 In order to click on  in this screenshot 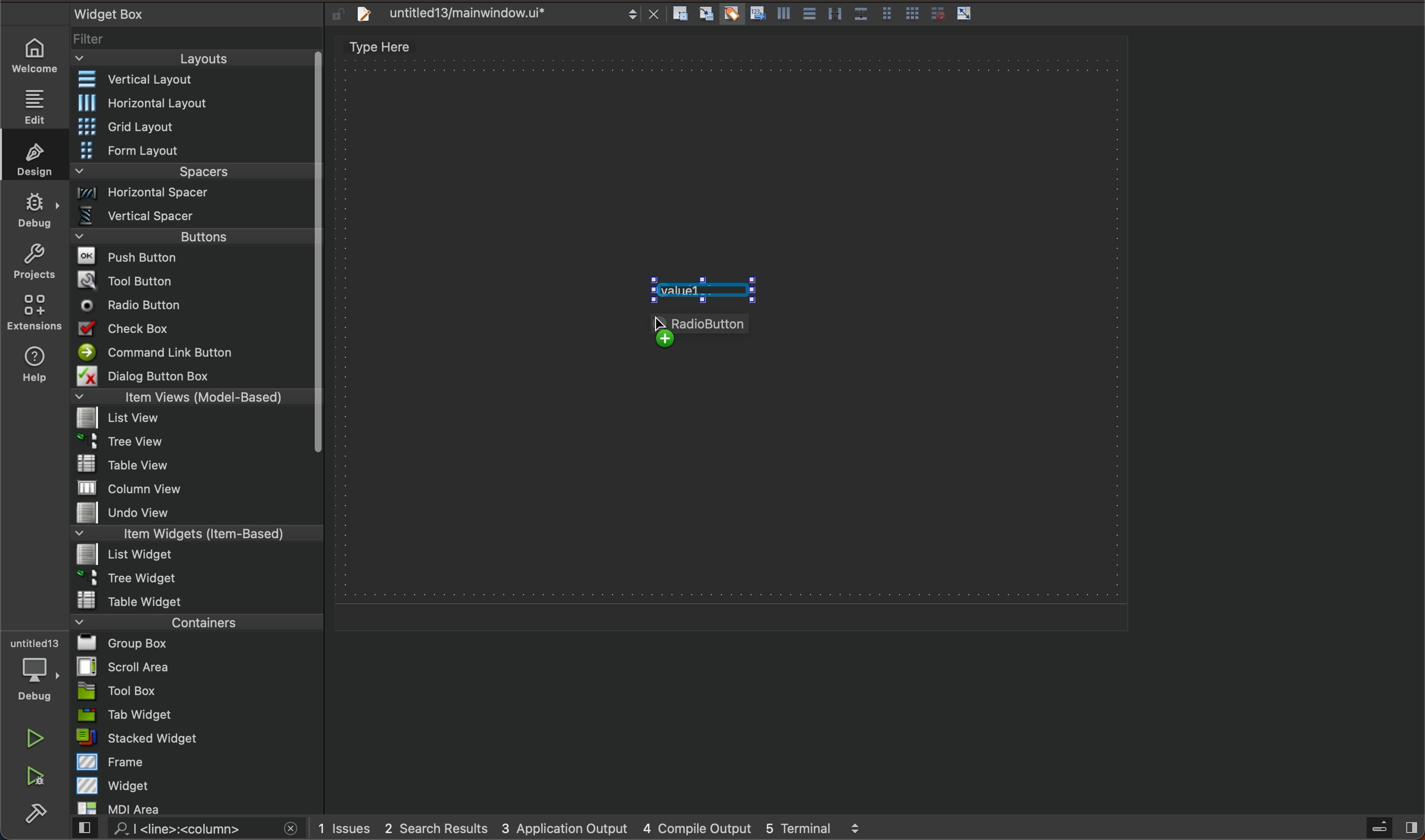, I will do `click(195, 196)`.